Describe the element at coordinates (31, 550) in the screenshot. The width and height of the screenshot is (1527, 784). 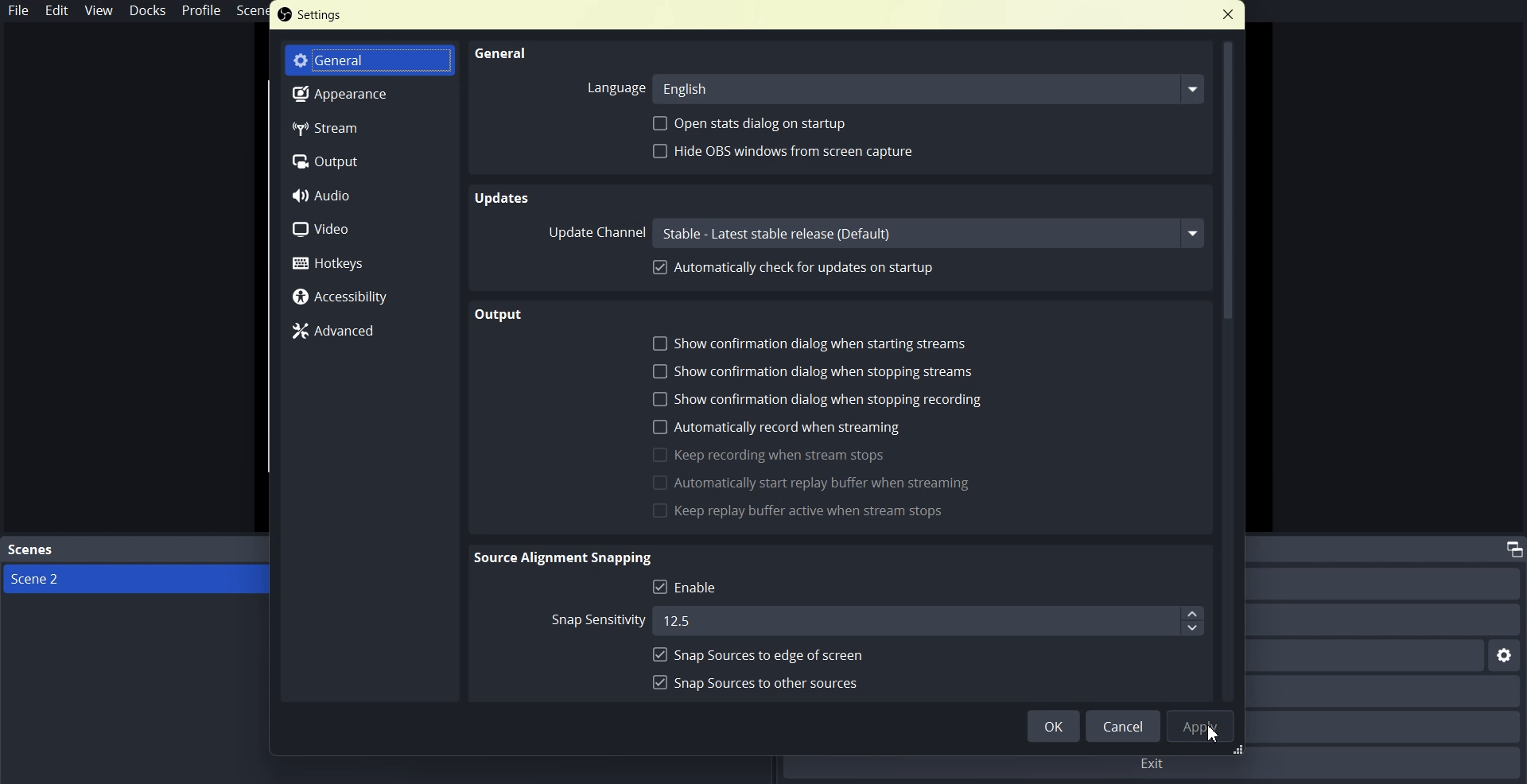
I see `Text` at that location.